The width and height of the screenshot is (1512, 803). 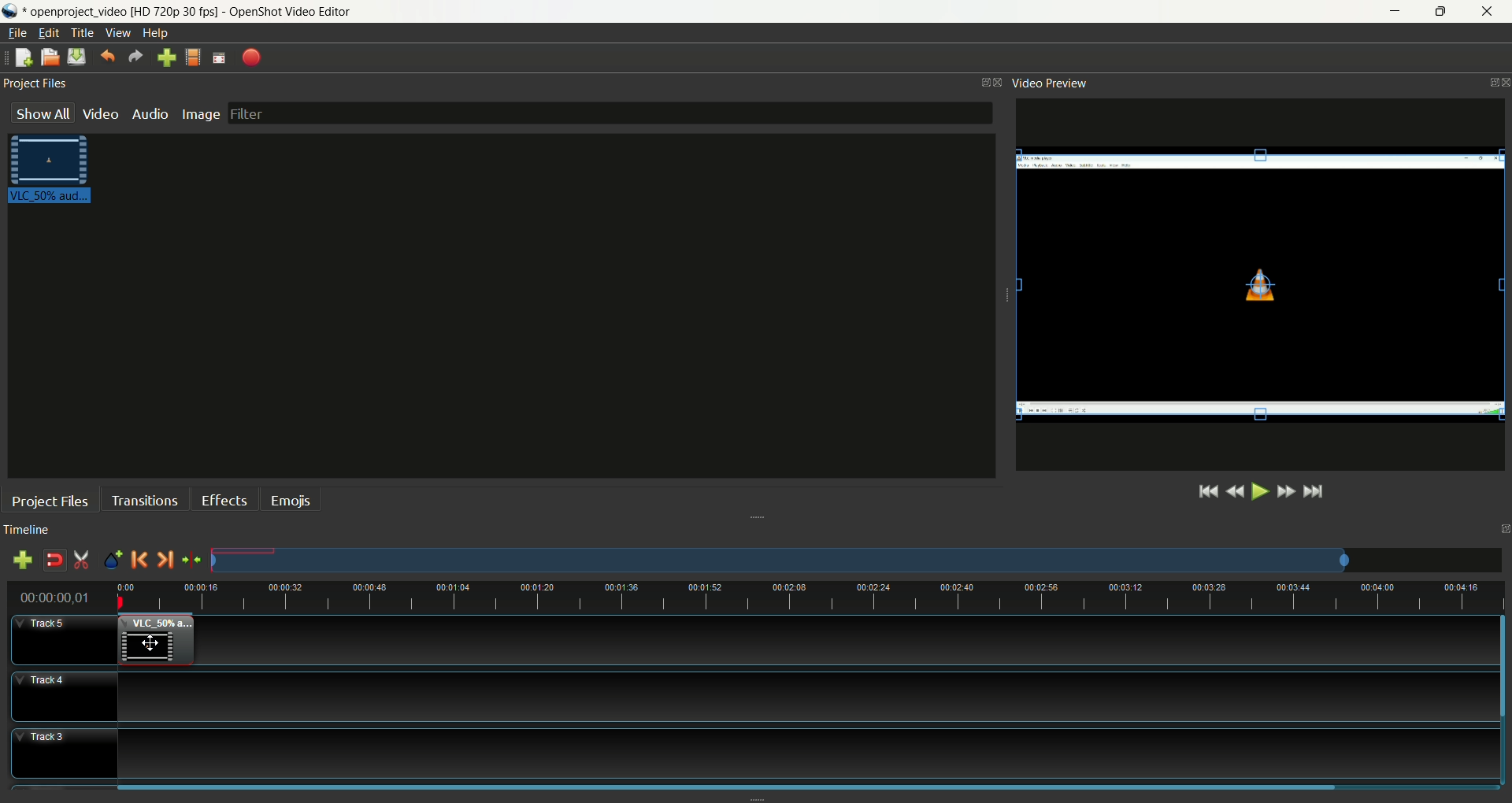 What do you see at coordinates (101, 114) in the screenshot?
I see `video` at bounding box center [101, 114].